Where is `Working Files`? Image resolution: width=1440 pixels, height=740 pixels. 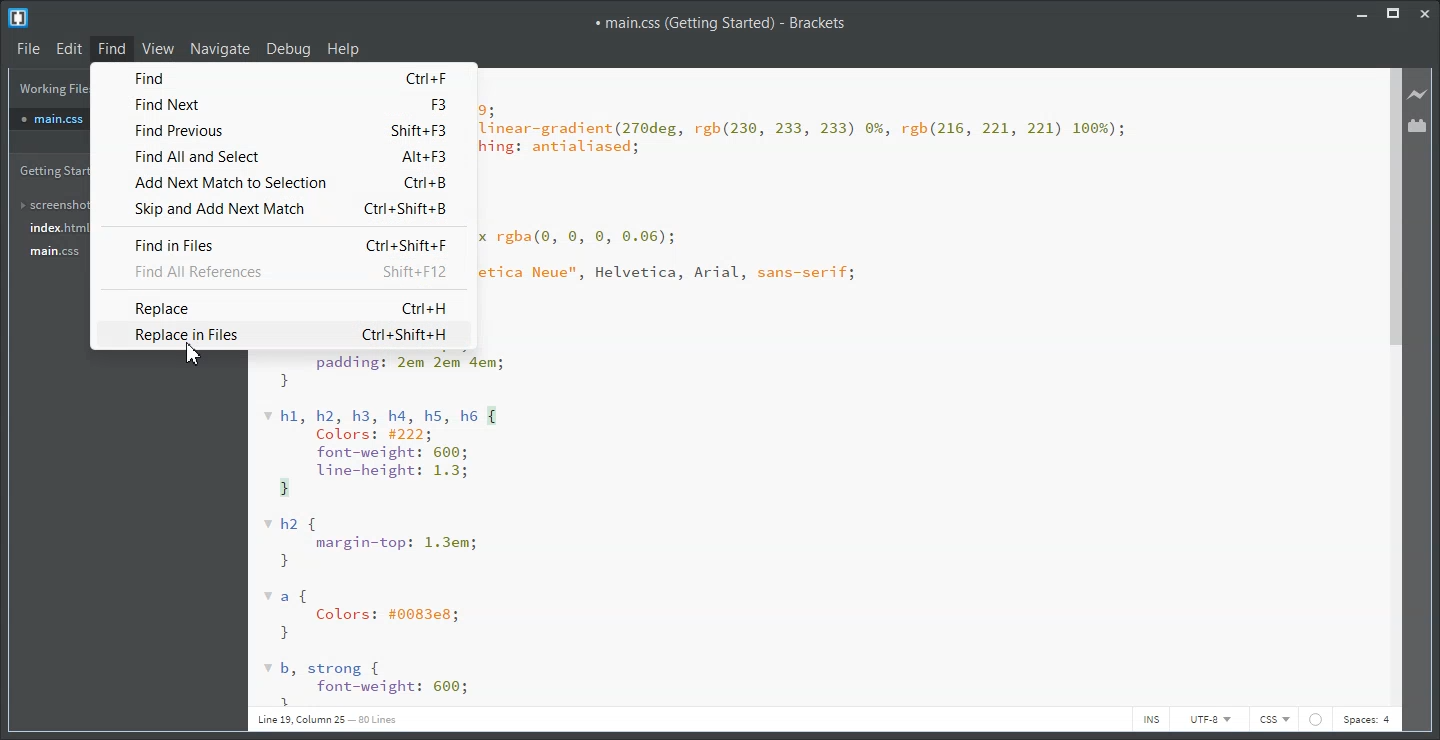
Working Files is located at coordinates (50, 88).